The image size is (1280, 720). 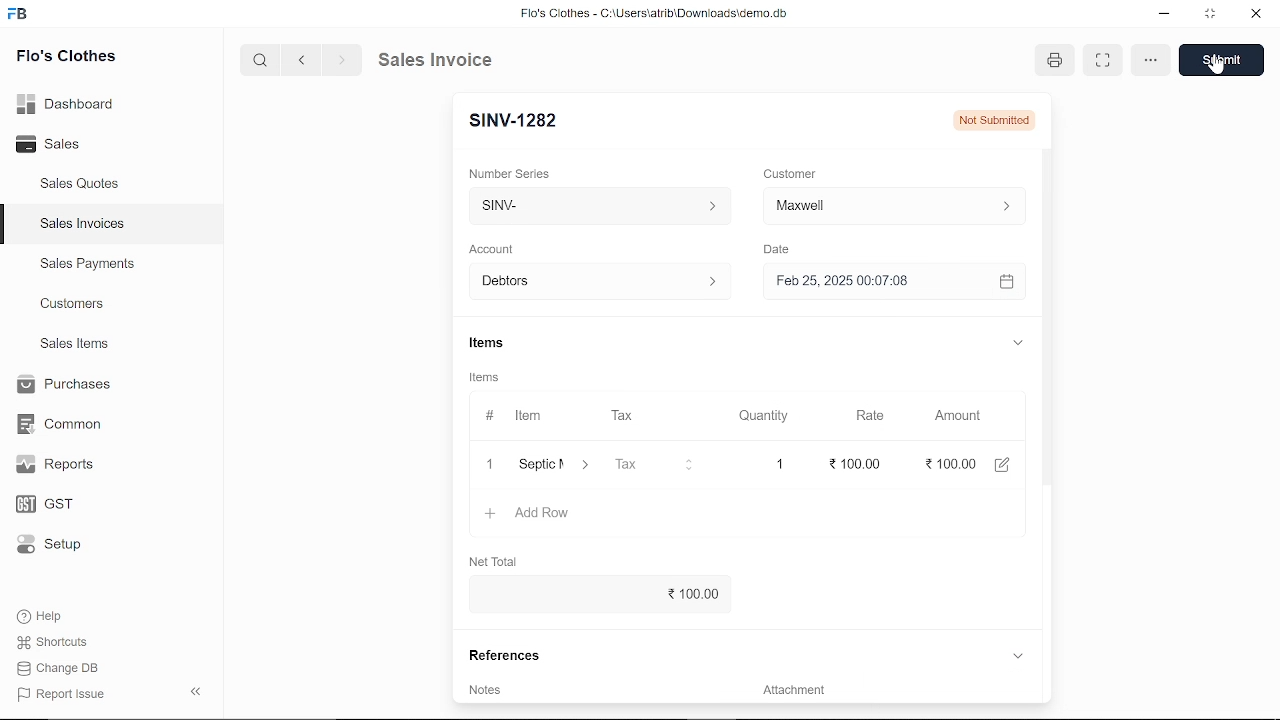 What do you see at coordinates (601, 203) in the screenshot?
I see `Insert number series` at bounding box center [601, 203].